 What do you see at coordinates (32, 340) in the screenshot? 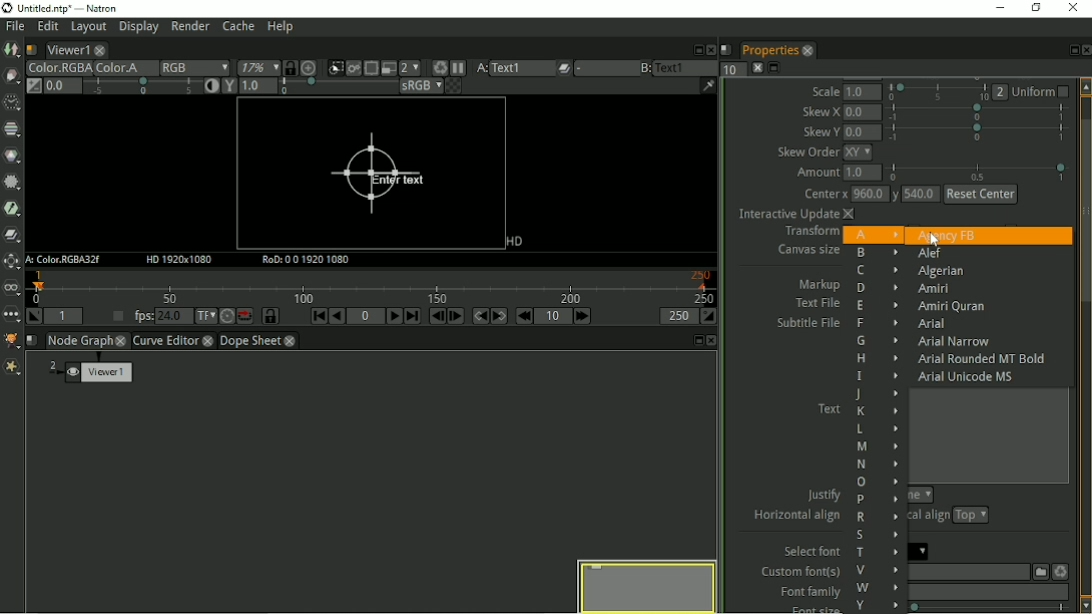
I see `Script name` at bounding box center [32, 340].